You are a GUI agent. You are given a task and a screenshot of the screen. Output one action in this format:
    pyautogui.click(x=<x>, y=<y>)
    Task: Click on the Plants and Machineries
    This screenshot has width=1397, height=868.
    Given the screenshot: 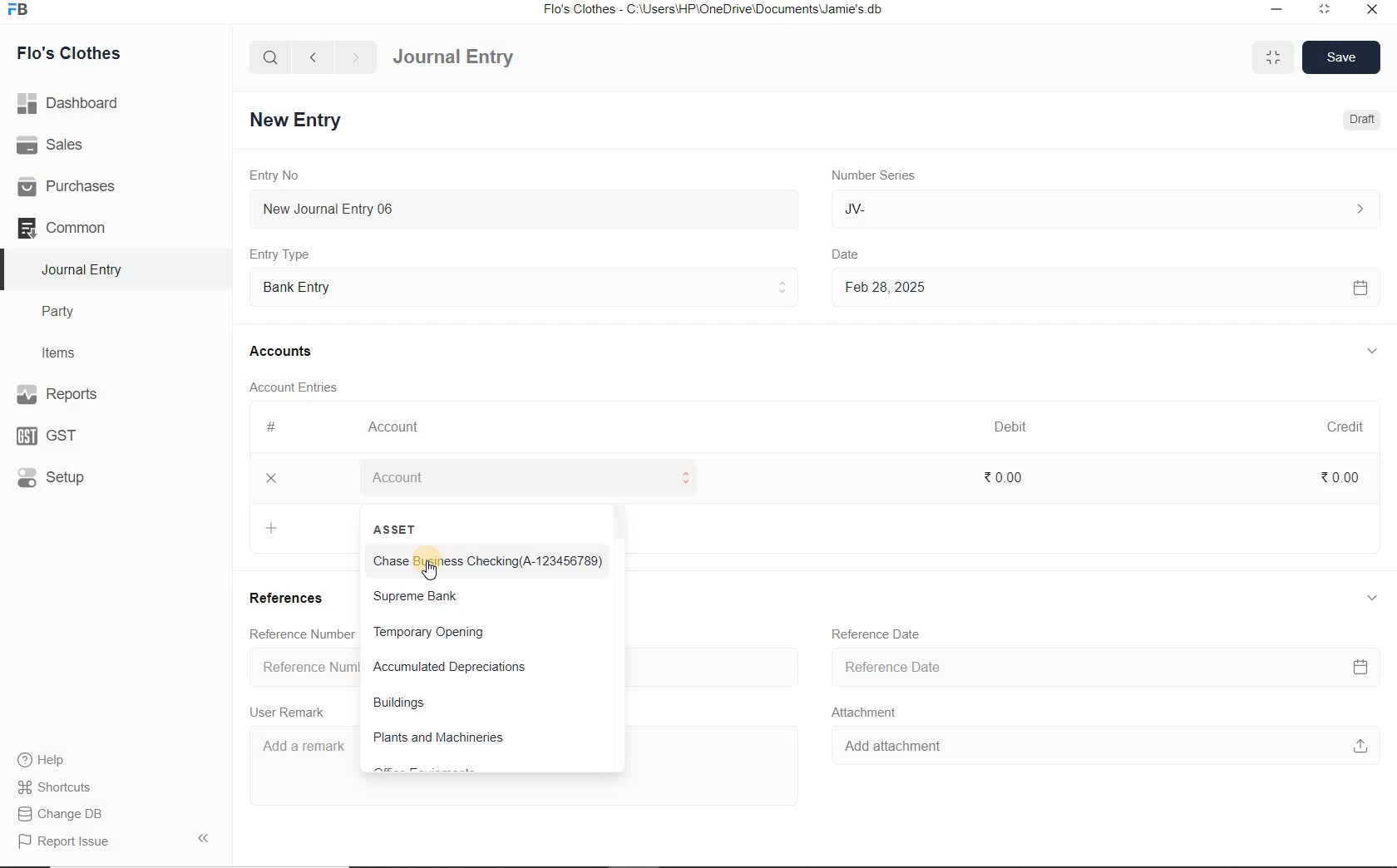 What is the action you would take?
    pyautogui.click(x=439, y=740)
    